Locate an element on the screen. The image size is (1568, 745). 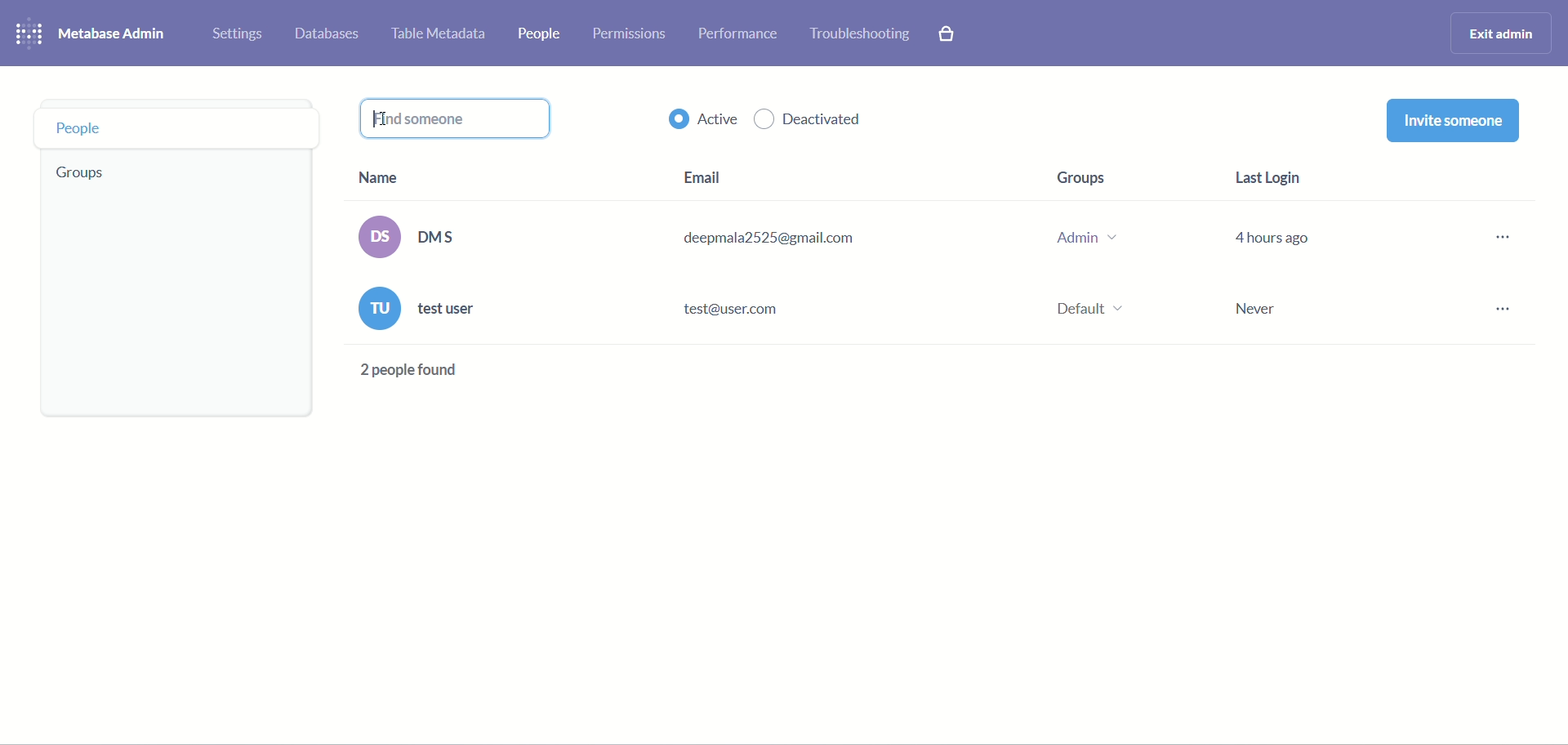
last login is located at coordinates (1266, 262).